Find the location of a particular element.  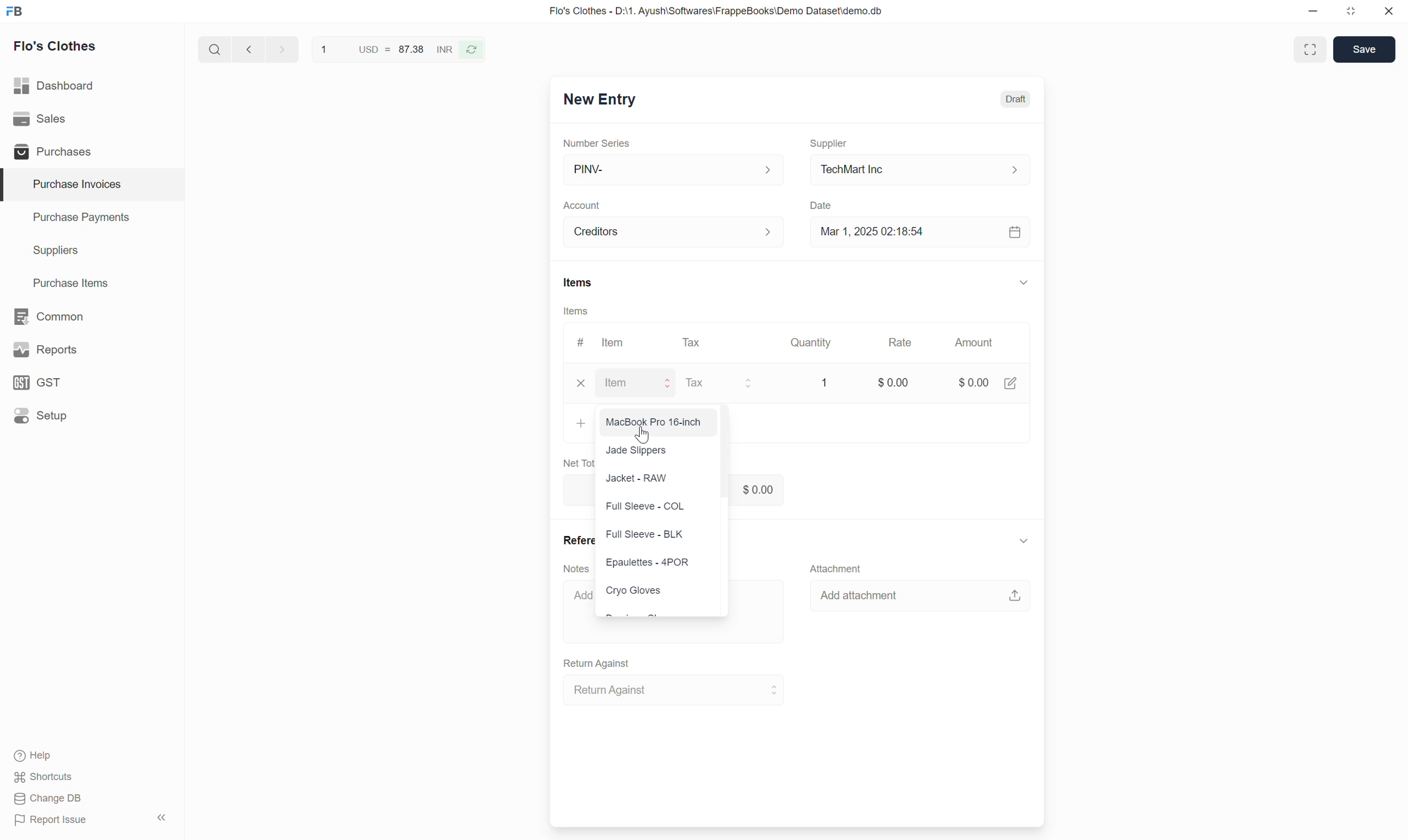

Return Against is located at coordinates (675, 690).